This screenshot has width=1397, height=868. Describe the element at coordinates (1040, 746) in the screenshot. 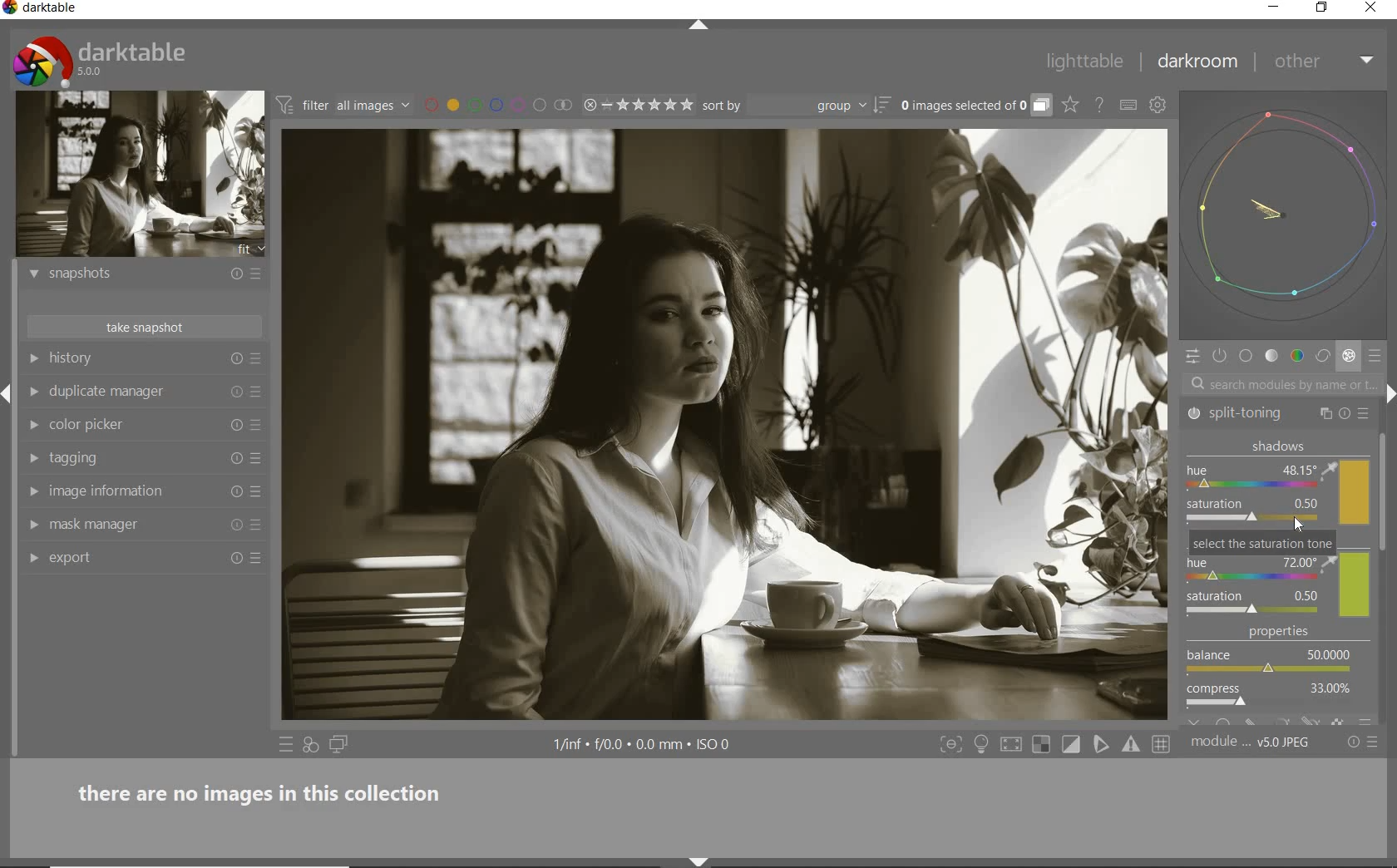

I see `shift+o` at that location.